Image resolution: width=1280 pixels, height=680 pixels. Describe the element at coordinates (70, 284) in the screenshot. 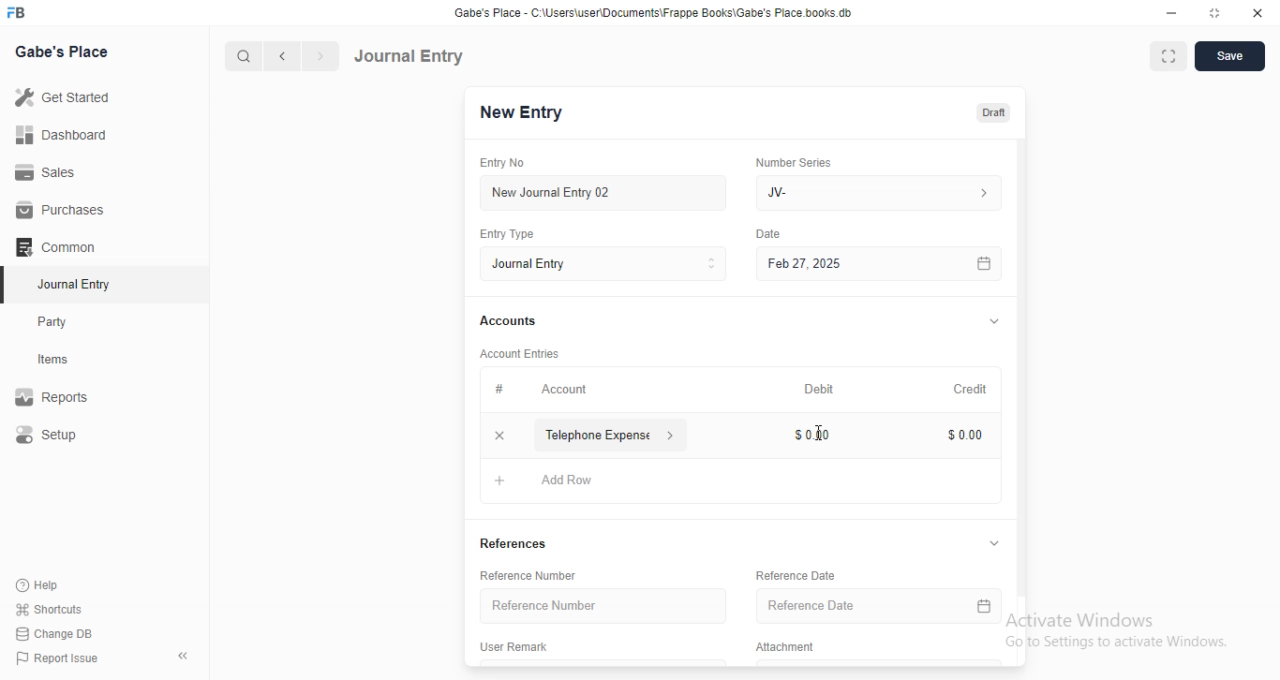

I see `Journal Entry` at that location.